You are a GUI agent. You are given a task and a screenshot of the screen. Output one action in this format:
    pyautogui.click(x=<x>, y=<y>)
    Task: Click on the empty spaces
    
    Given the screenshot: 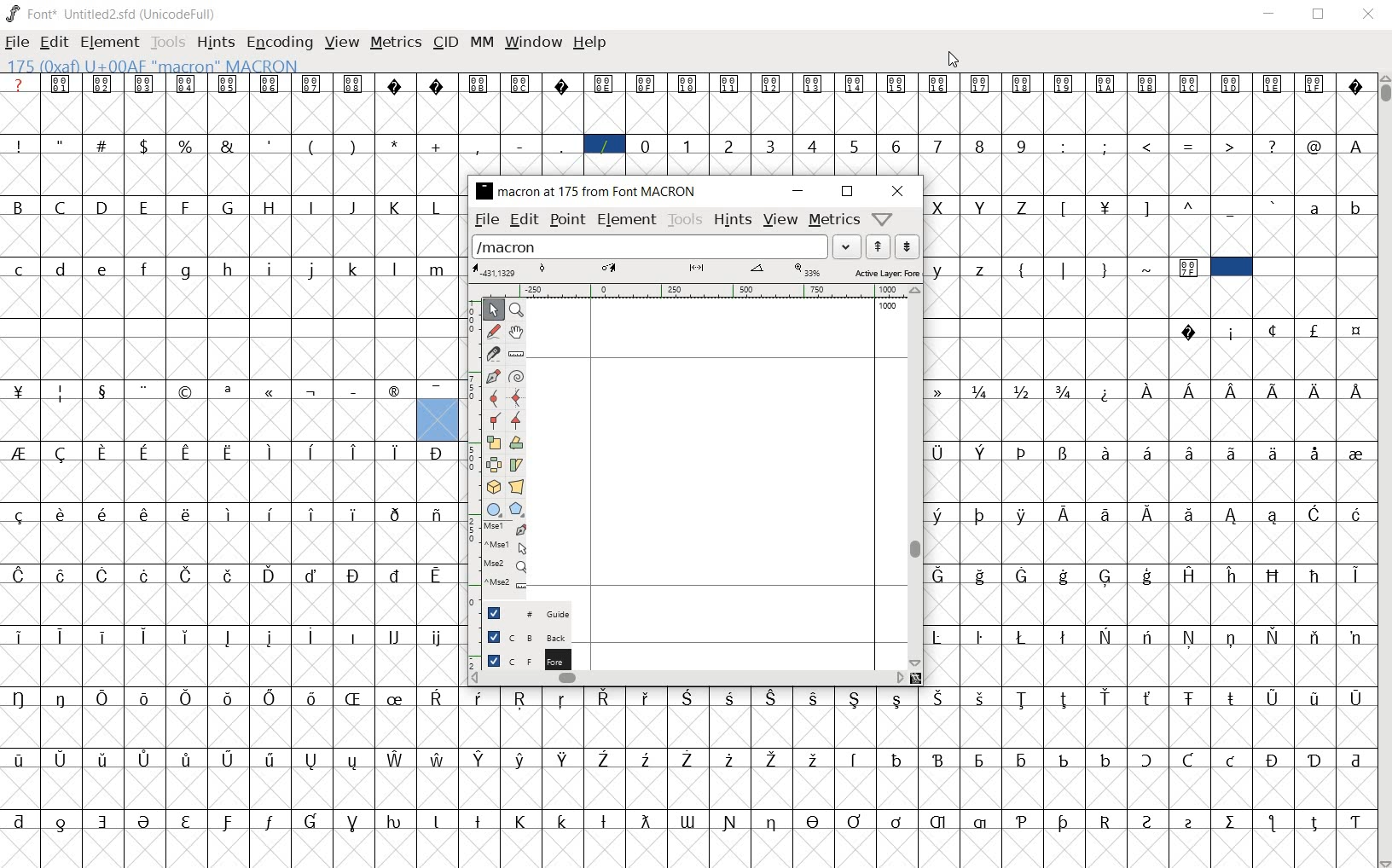 What is the action you would take?
    pyautogui.click(x=227, y=328)
    